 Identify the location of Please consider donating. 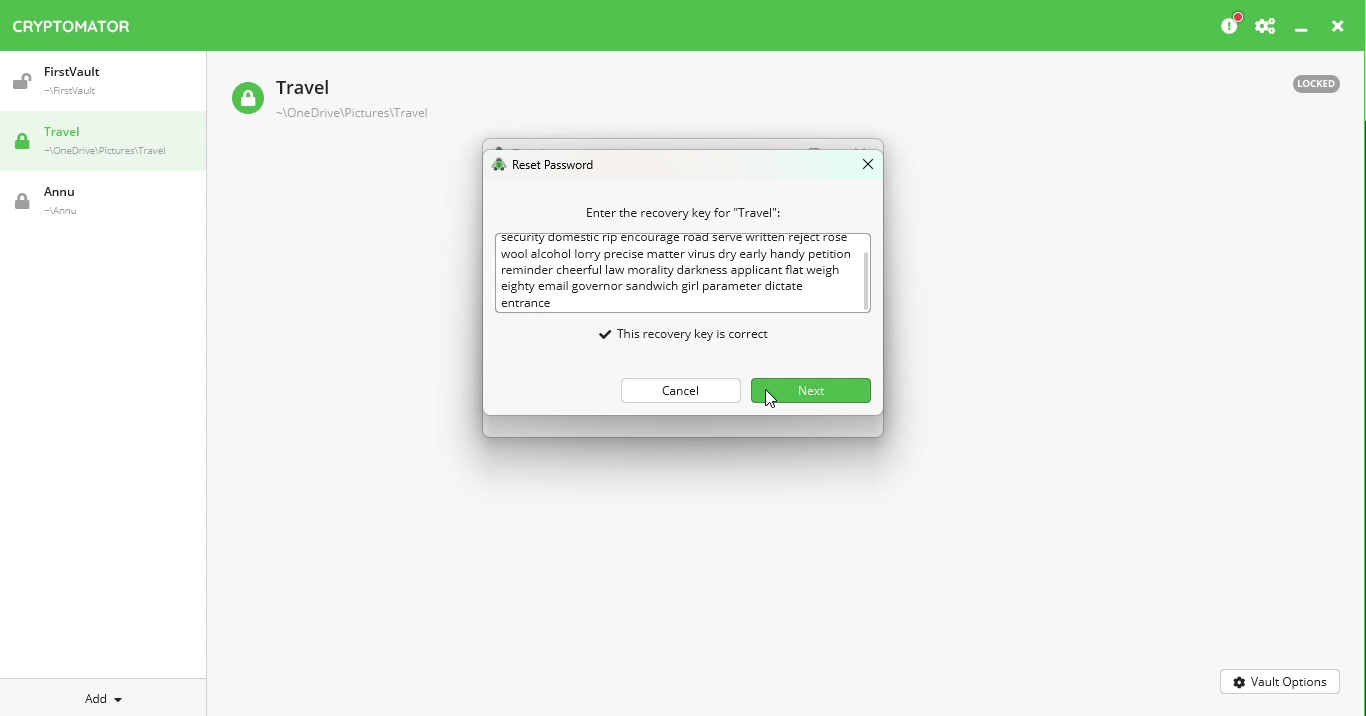
(1229, 25).